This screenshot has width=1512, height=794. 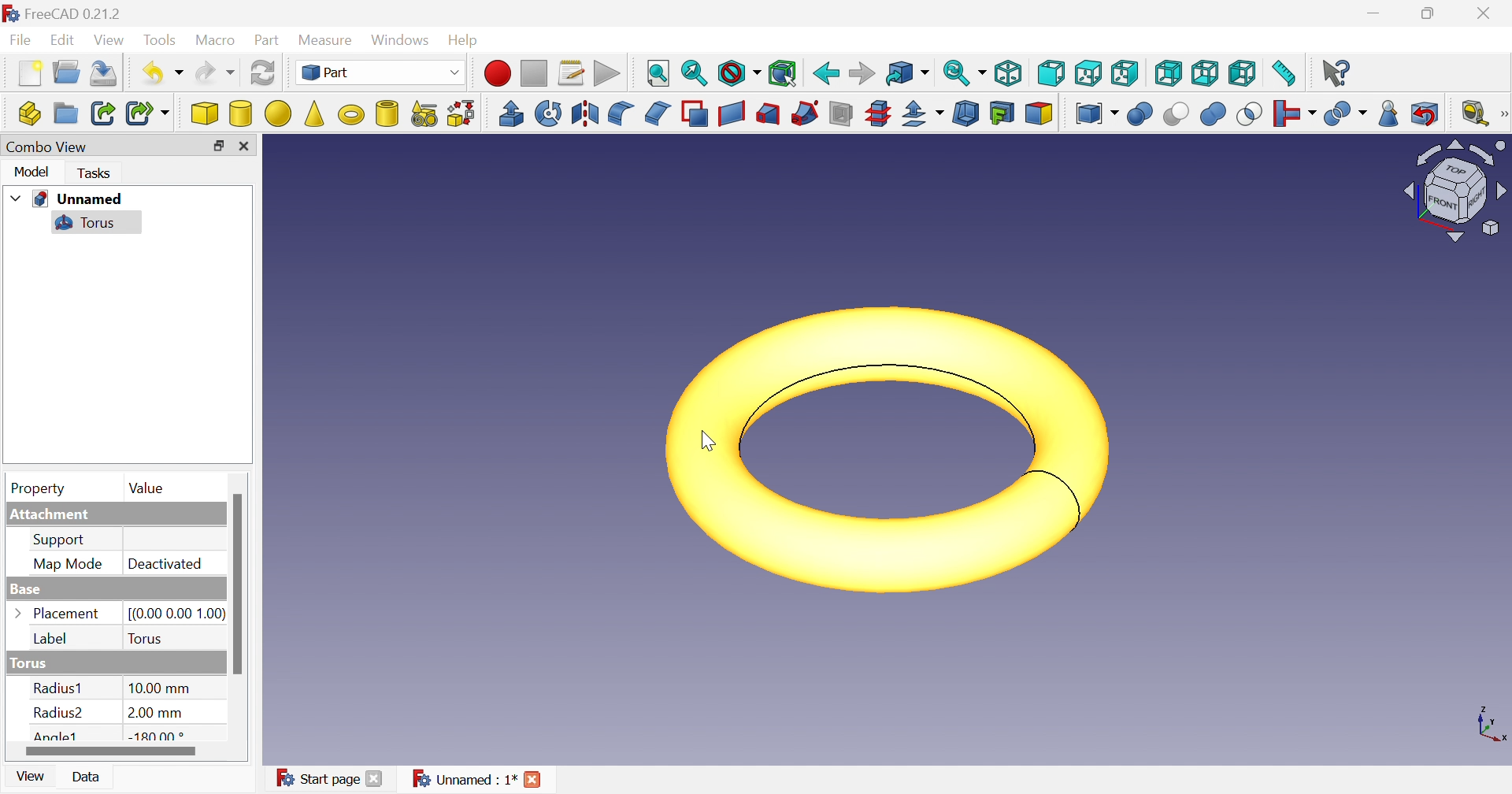 I want to click on Measure, so click(x=327, y=38).